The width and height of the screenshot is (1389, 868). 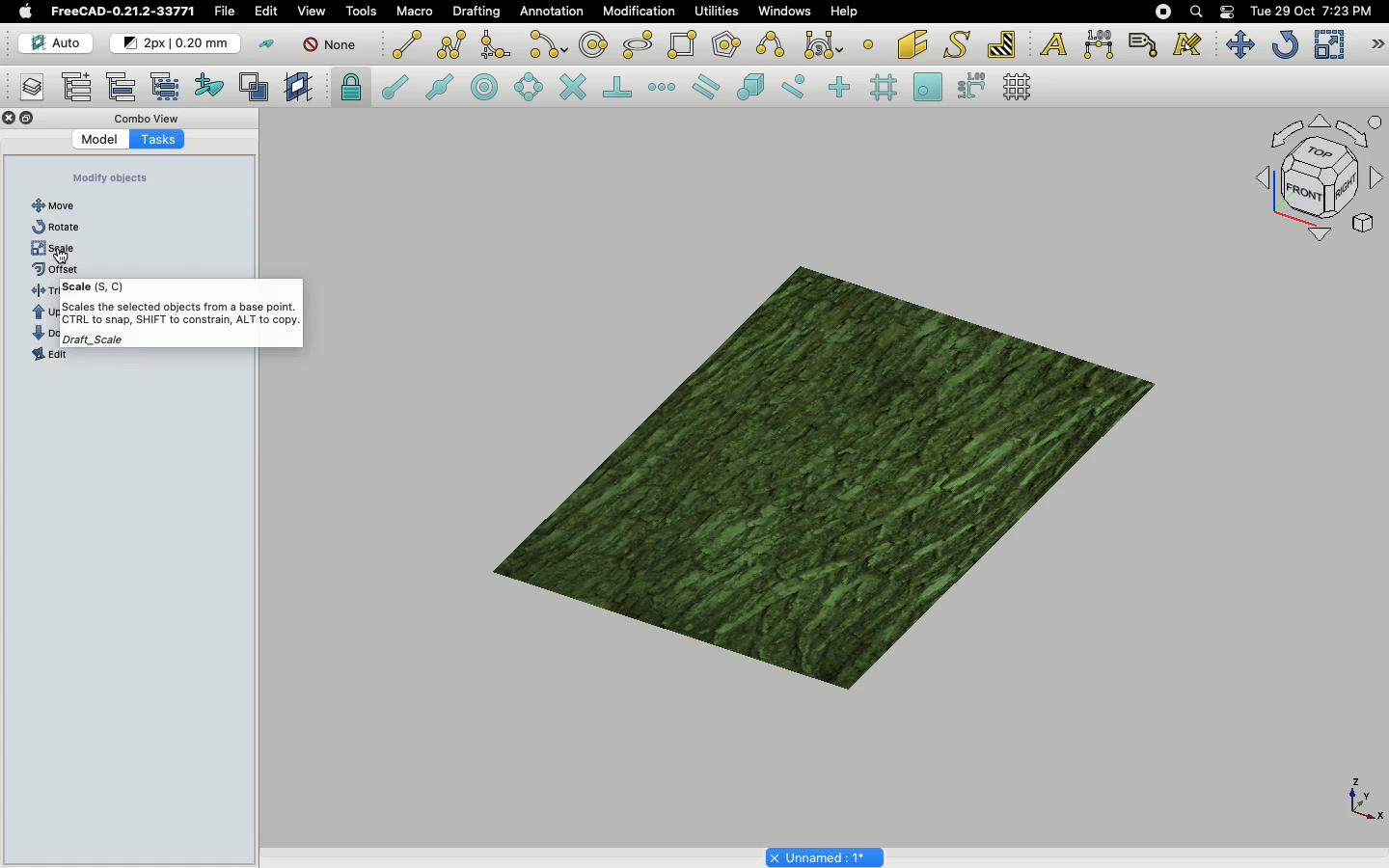 I want to click on Toggle normal/wireframe display, so click(x=255, y=87).